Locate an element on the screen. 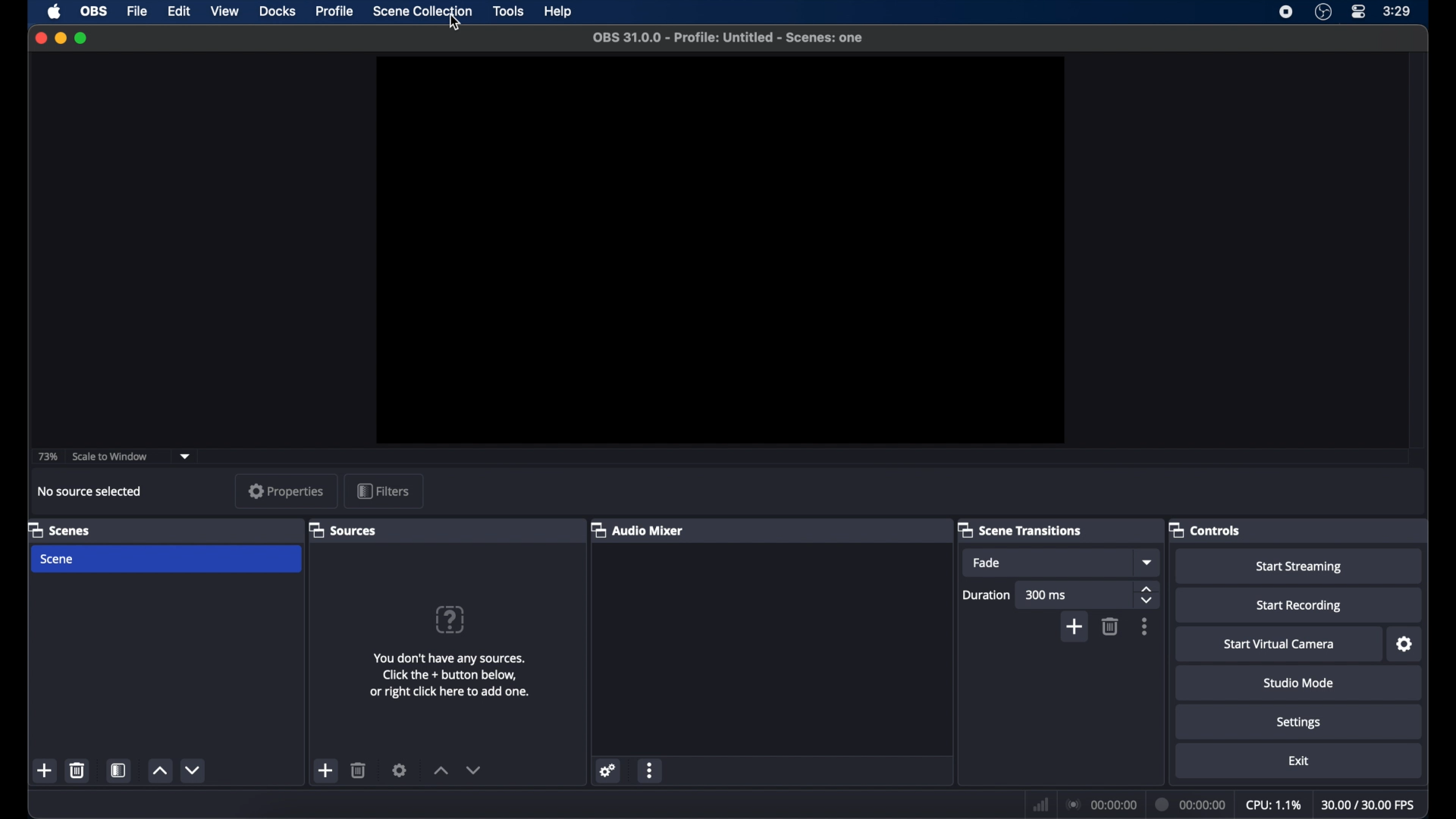  audio mixer is located at coordinates (638, 529).